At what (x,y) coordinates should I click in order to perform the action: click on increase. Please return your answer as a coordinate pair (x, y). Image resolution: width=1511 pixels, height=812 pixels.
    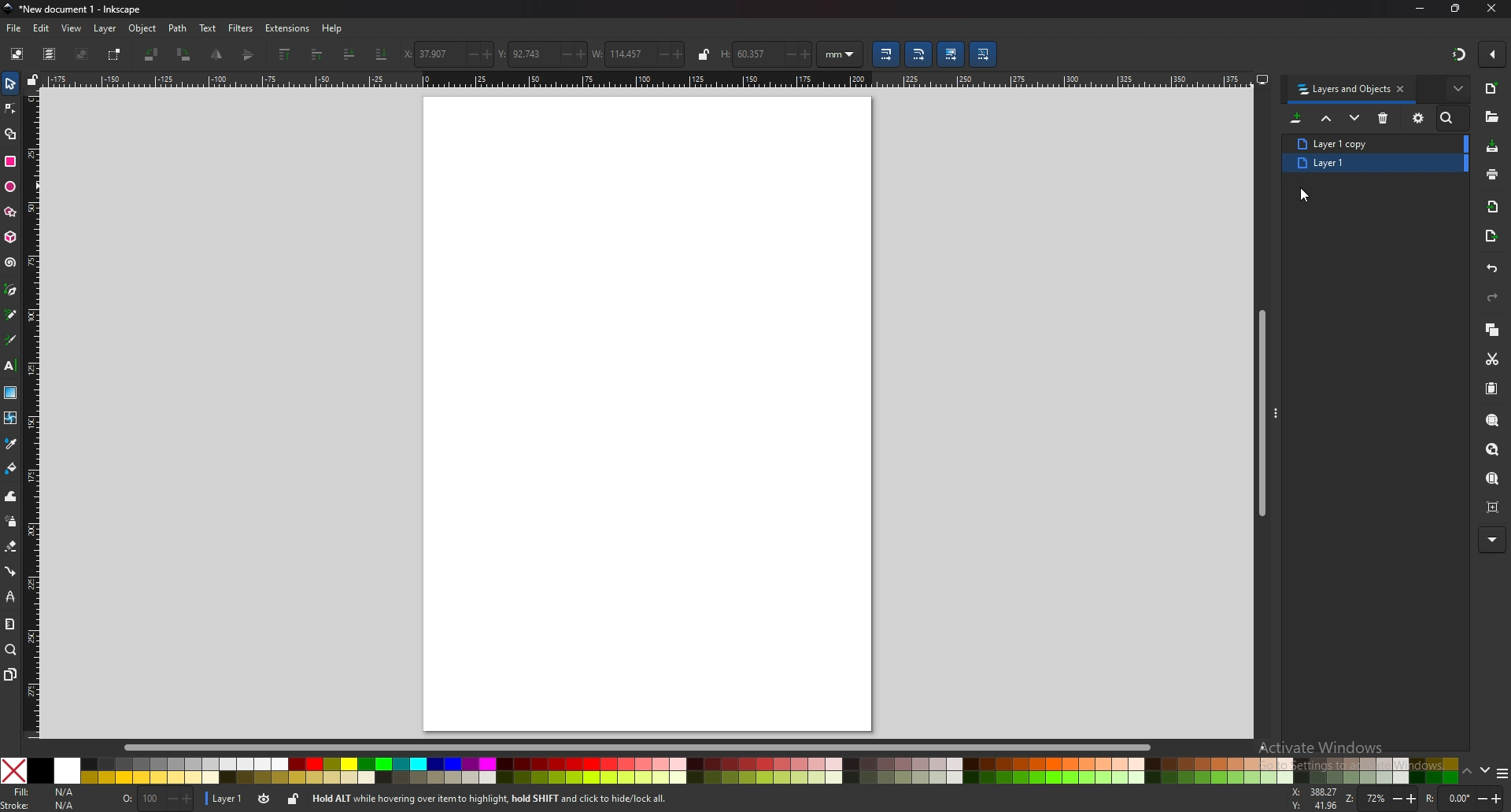
    Looking at the image, I should click on (679, 55).